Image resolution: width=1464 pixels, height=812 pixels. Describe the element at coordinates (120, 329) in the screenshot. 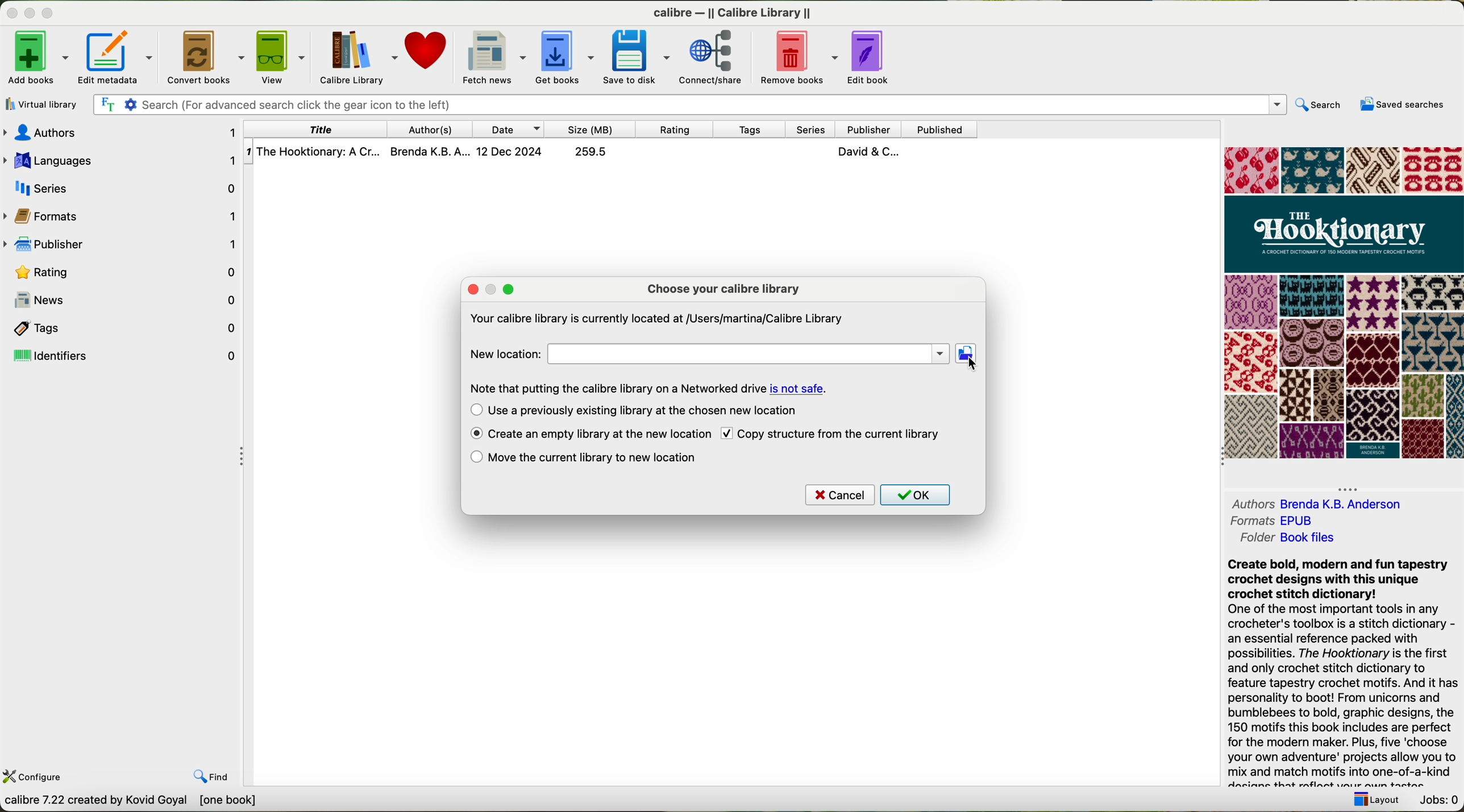

I see `tags` at that location.